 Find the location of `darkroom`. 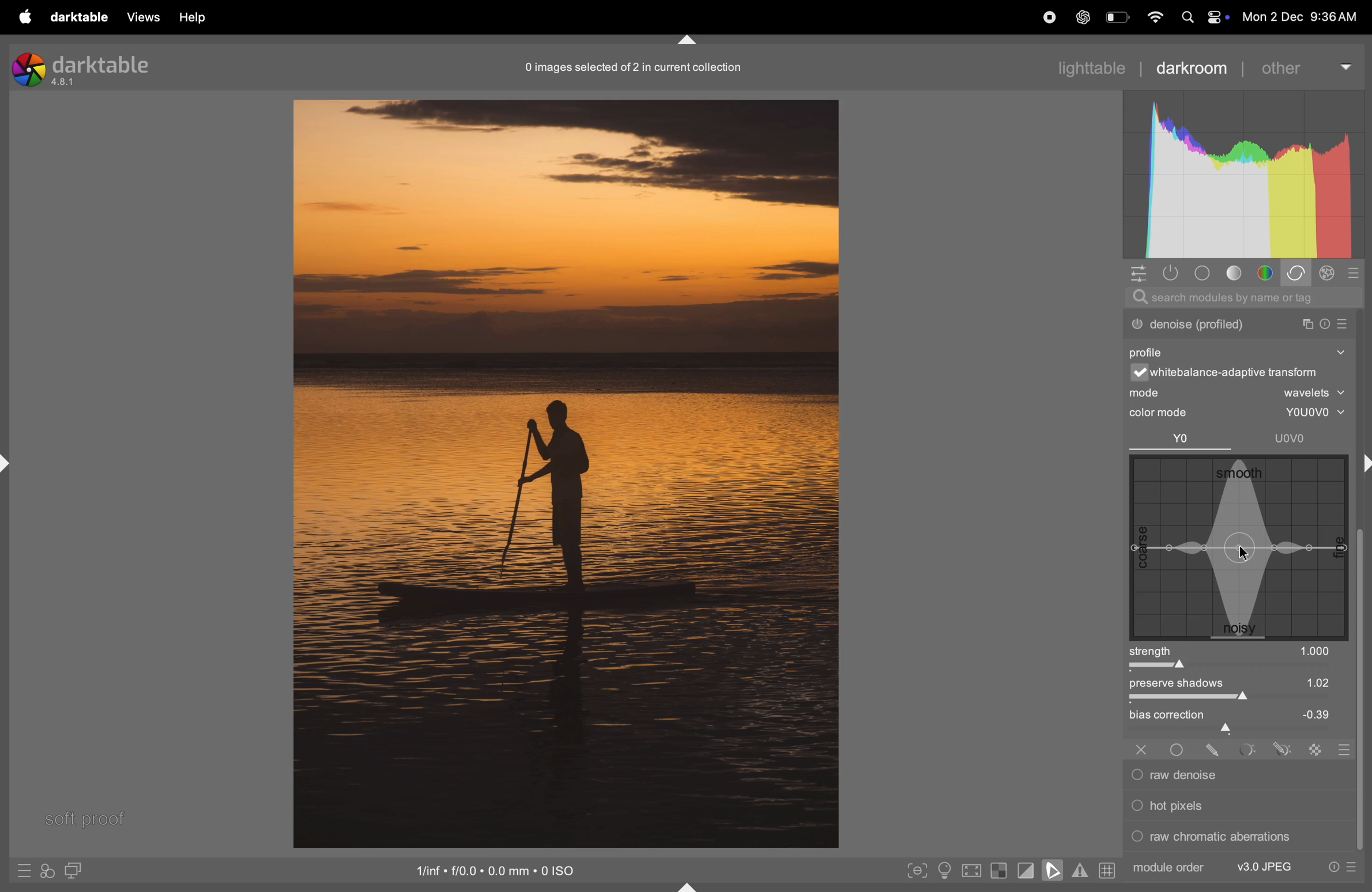

darkroom is located at coordinates (1199, 66).